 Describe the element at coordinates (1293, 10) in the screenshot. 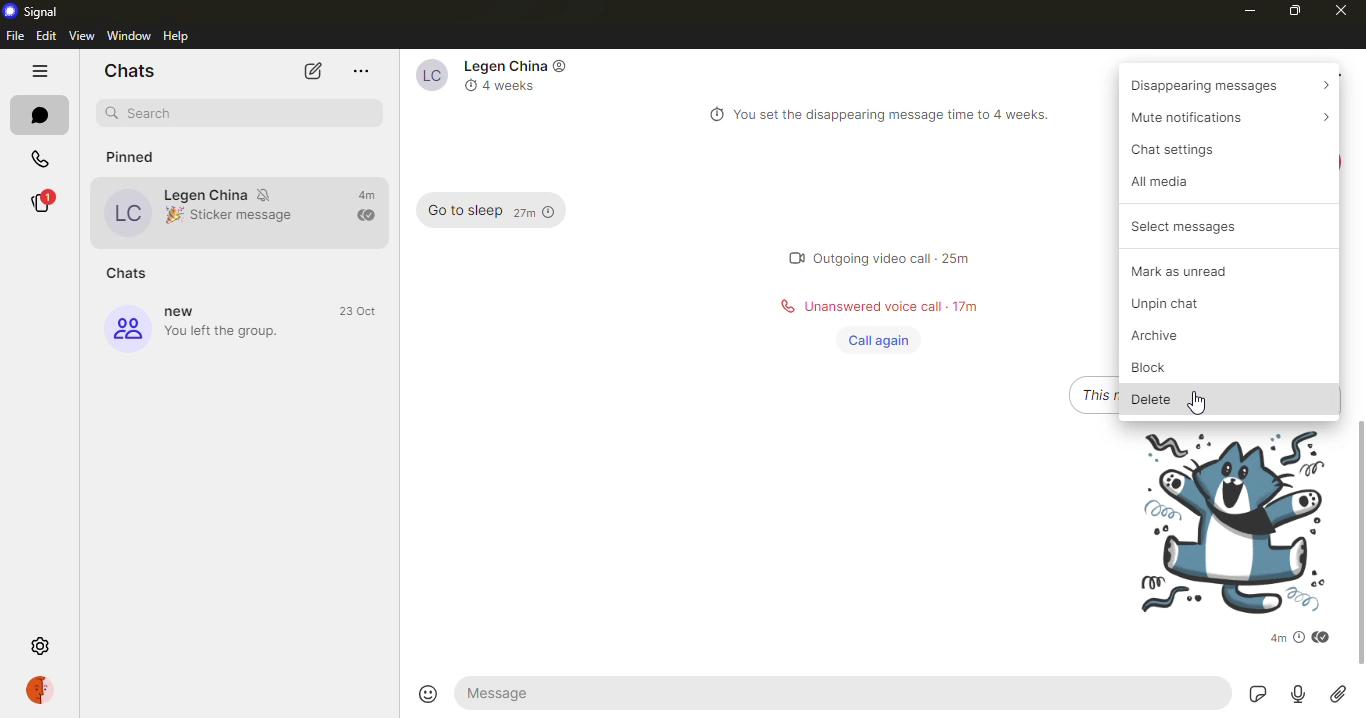

I see `maximize` at that location.